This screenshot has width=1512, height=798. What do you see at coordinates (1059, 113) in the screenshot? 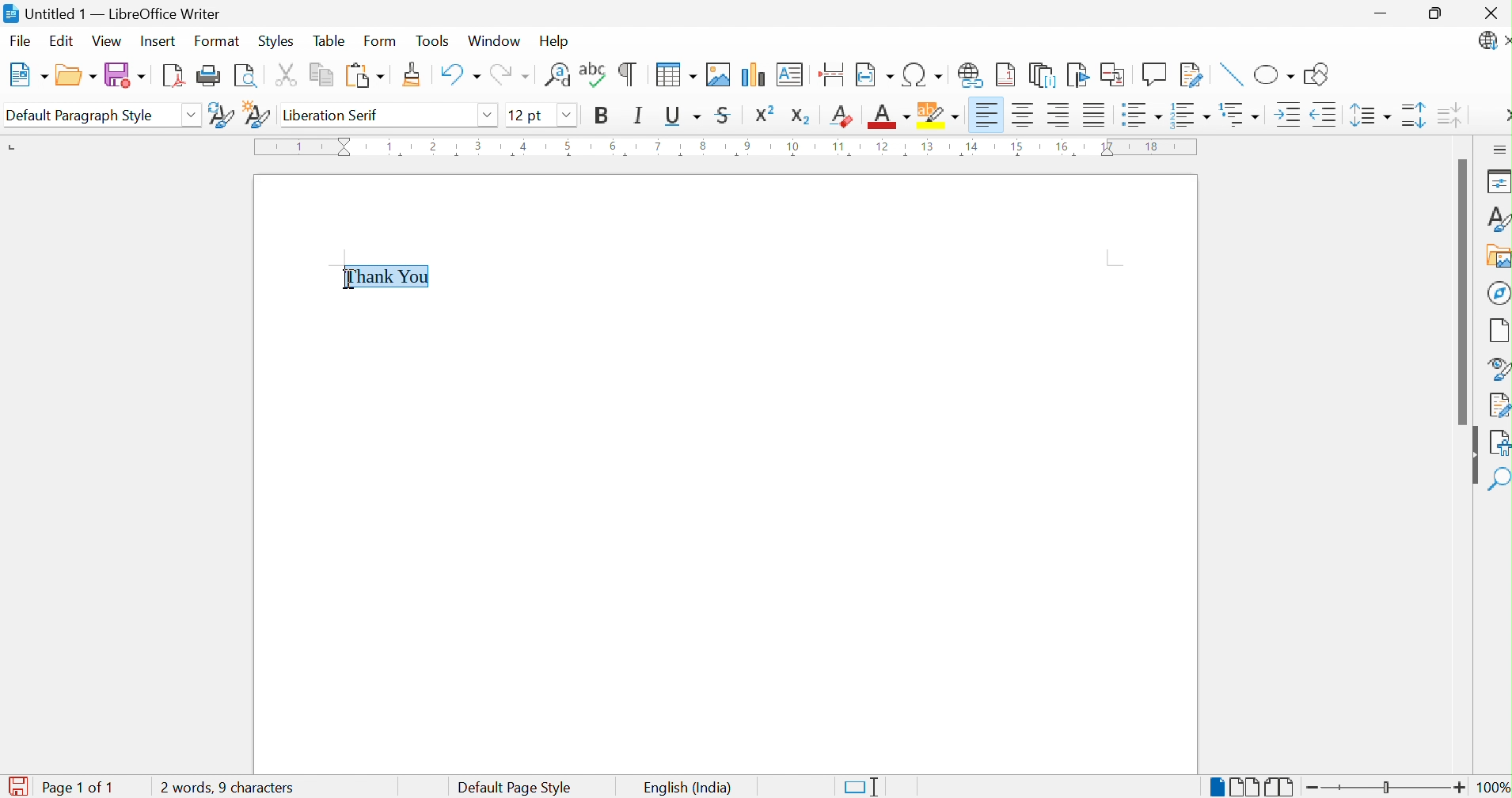
I see `Align Right` at bounding box center [1059, 113].